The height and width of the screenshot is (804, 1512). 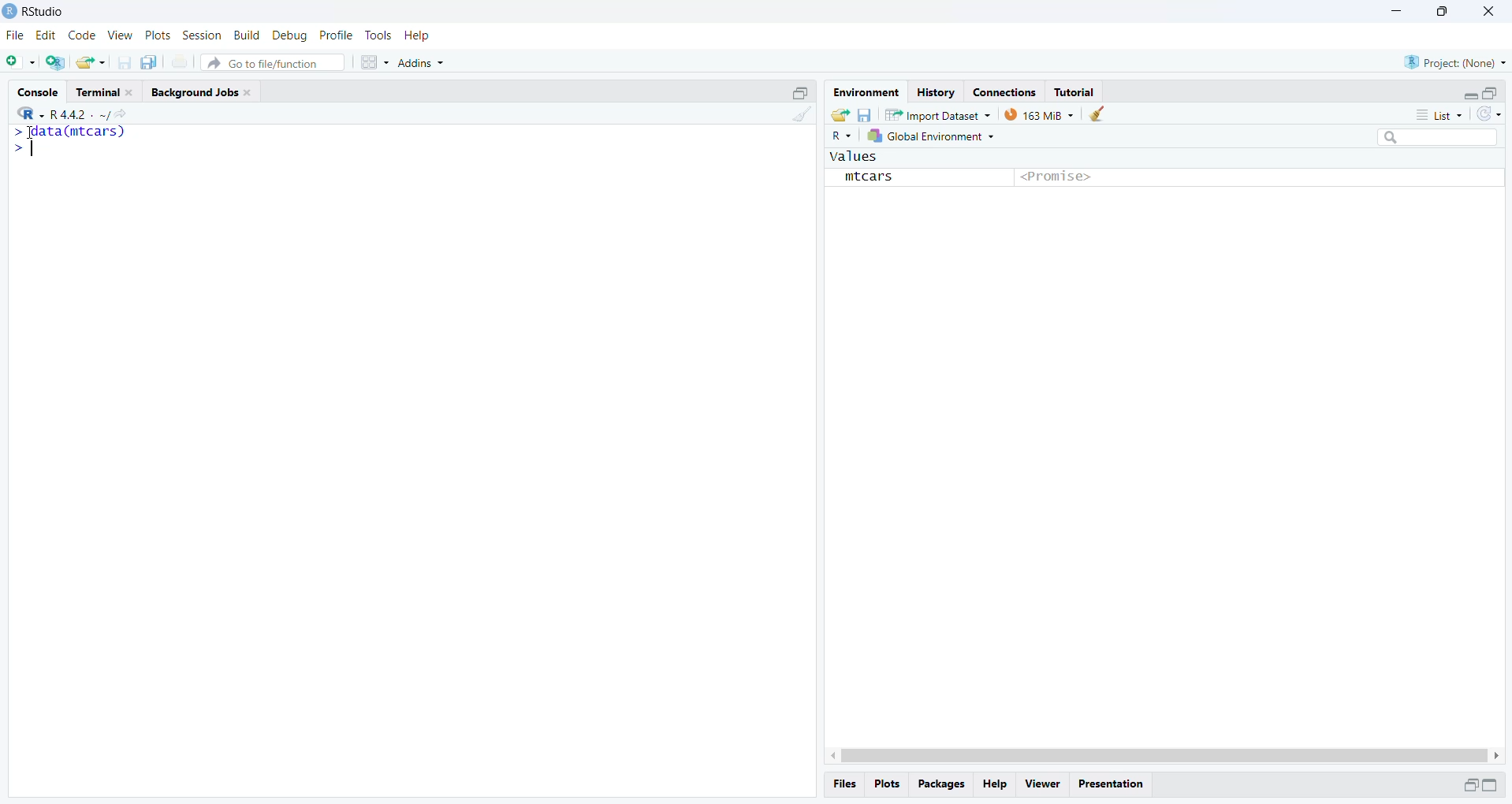 What do you see at coordinates (1442, 12) in the screenshot?
I see `maximise` at bounding box center [1442, 12].